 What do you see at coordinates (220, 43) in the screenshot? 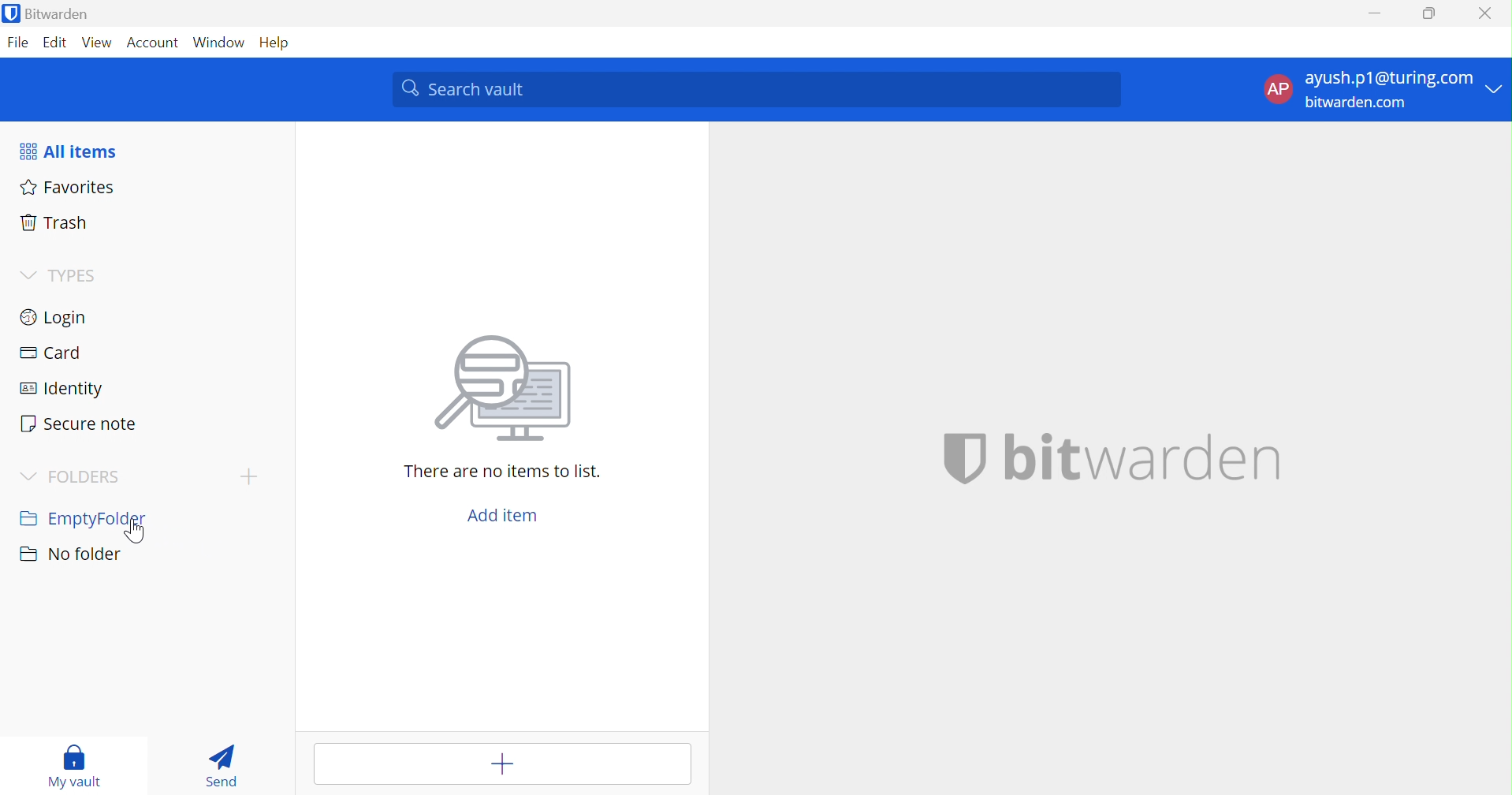
I see `Window` at bounding box center [220, 43].